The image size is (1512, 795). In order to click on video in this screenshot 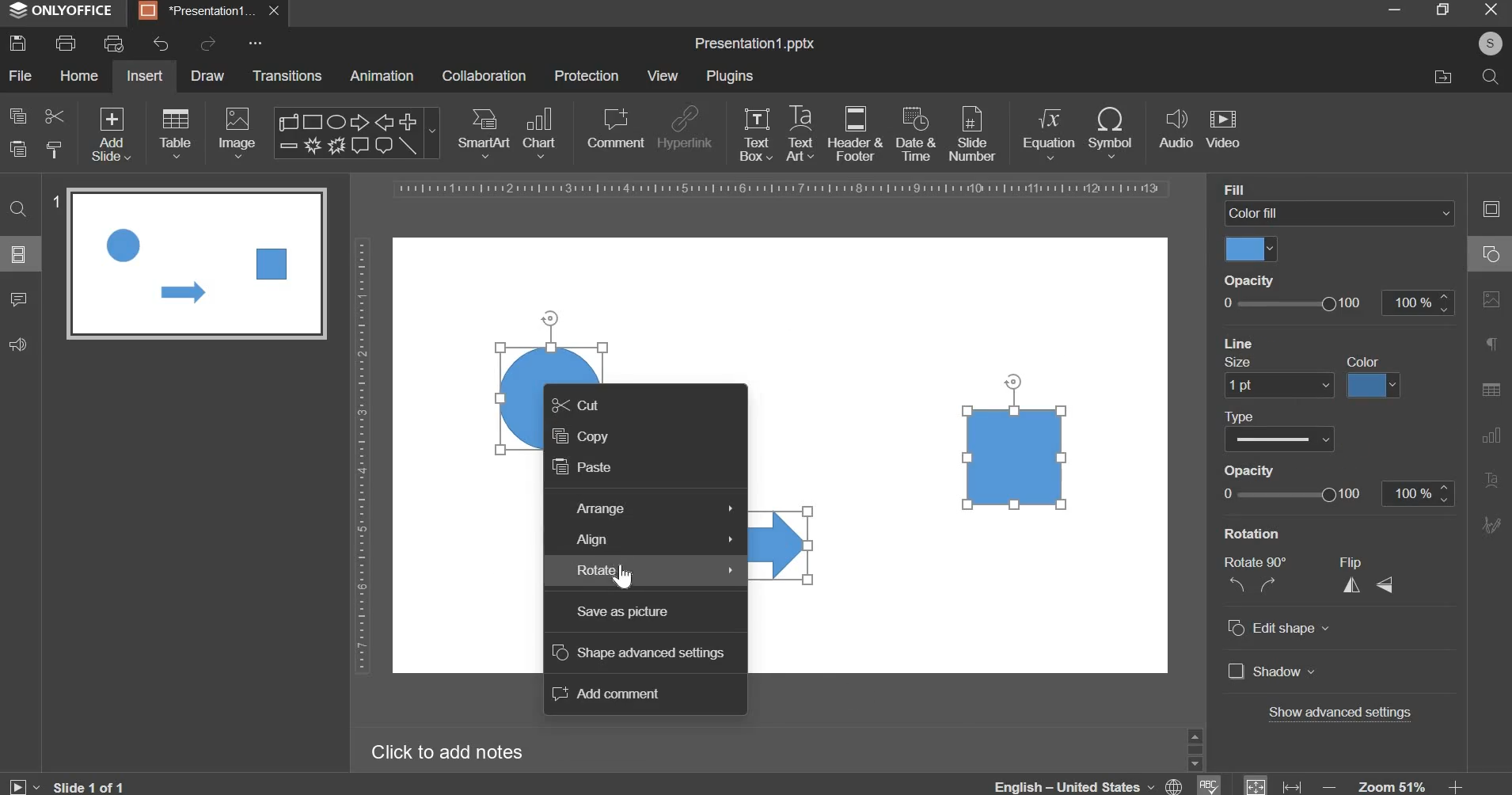, I will do `click(1223, 130)`.